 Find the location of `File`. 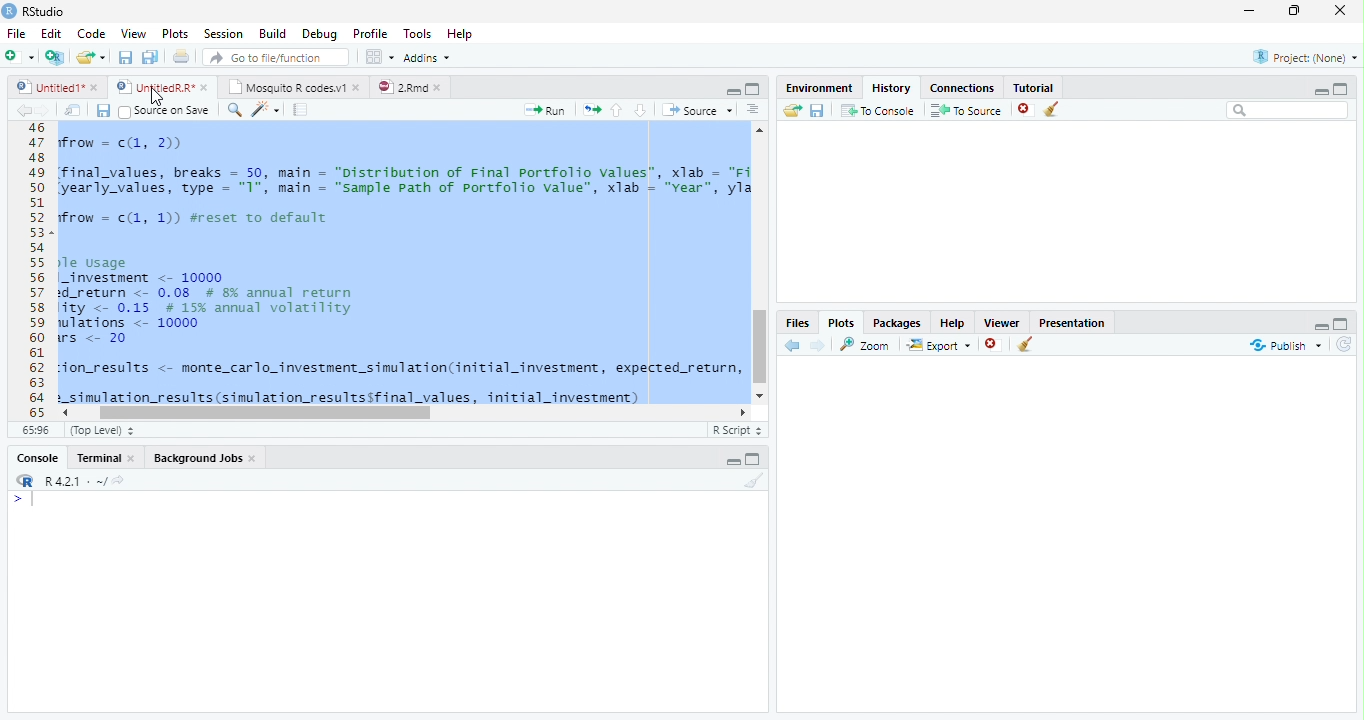

File is located at coordinates (15, 33).